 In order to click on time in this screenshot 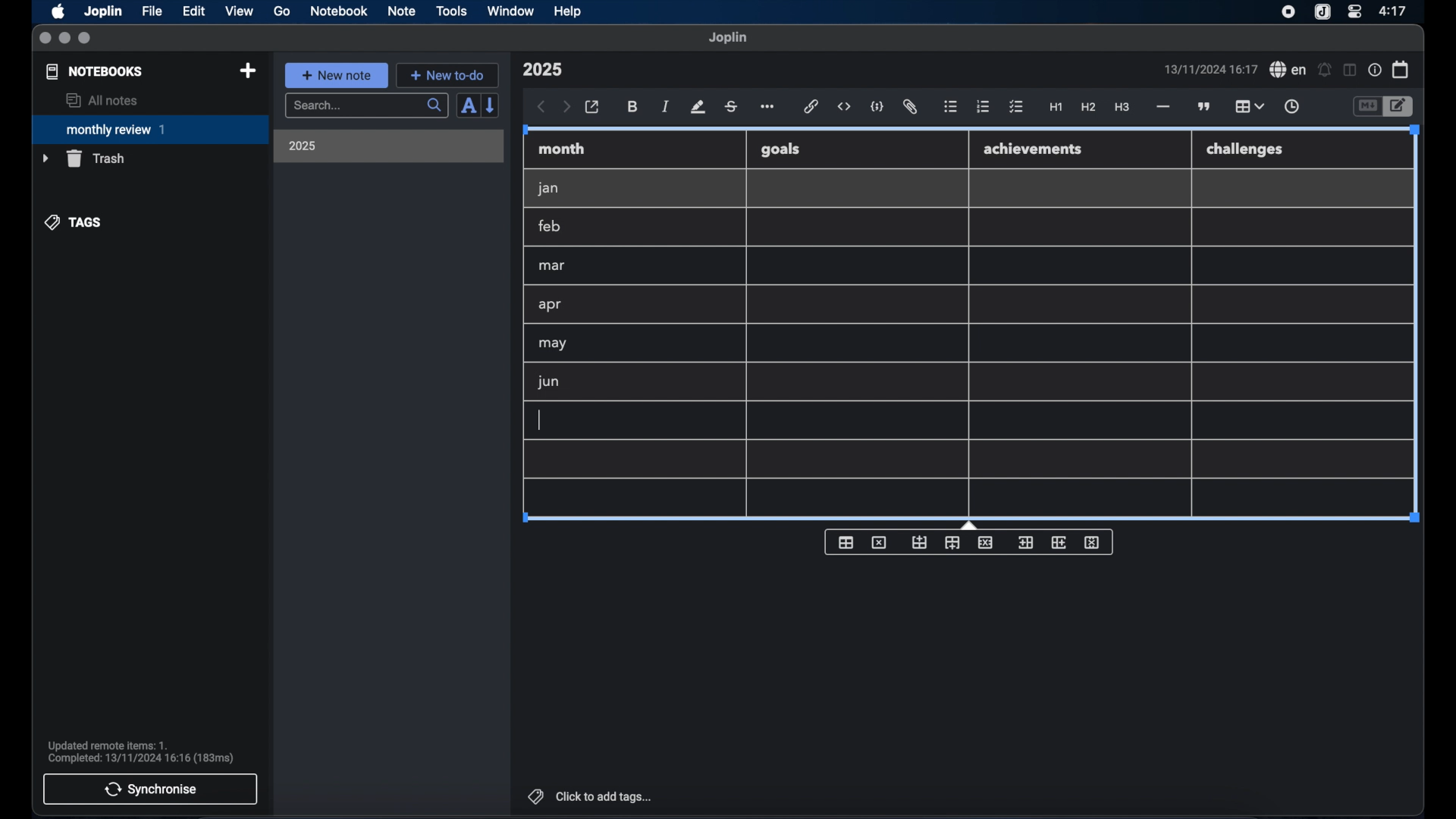, I will do `click(1395, 11)`.